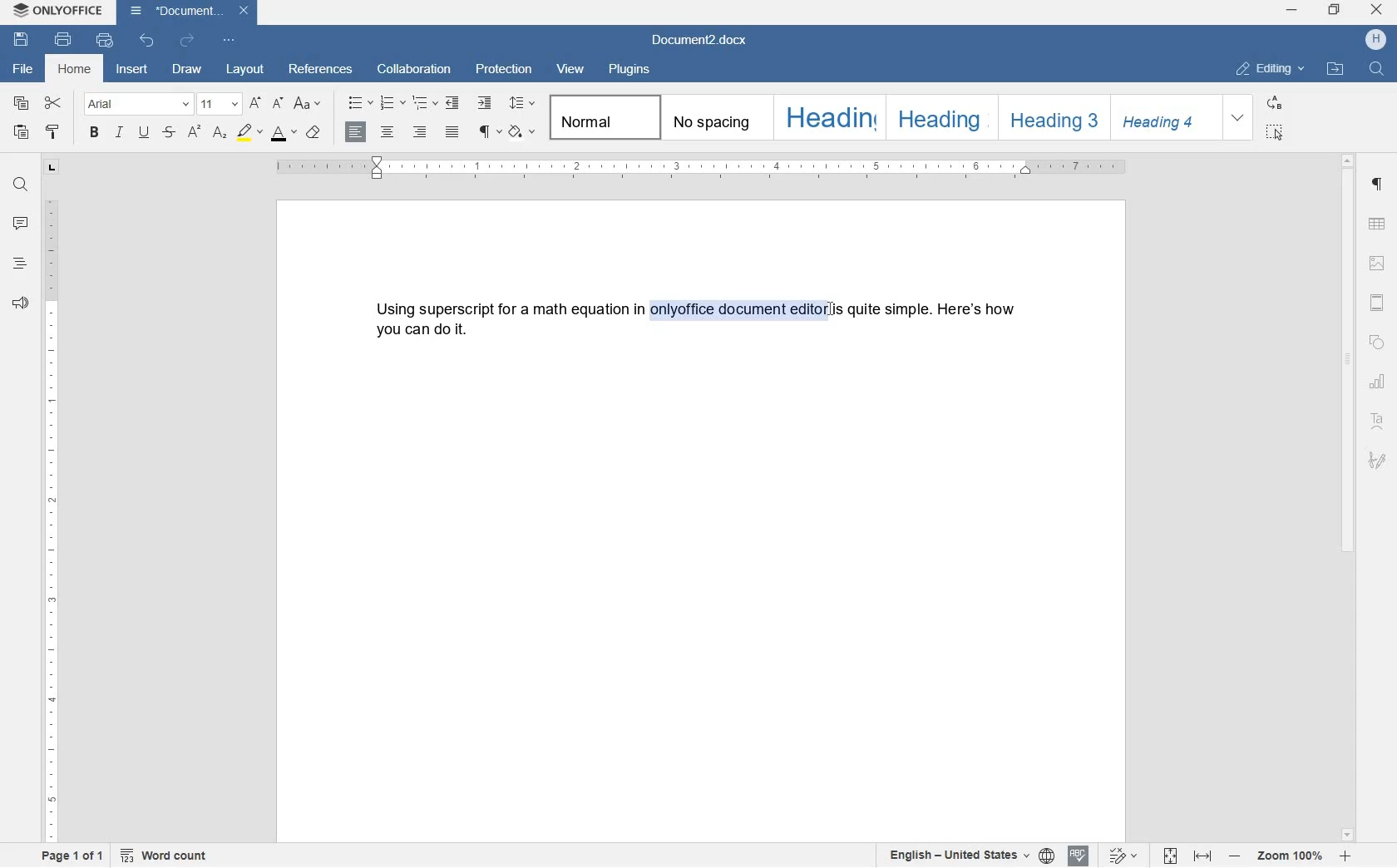 Image resolution: width=1397 pixels, height=868 pixels. What do you see at coordinates (1380, 303) in the screenshot?
I see `header & footer` at bounding box center [1380, 303].